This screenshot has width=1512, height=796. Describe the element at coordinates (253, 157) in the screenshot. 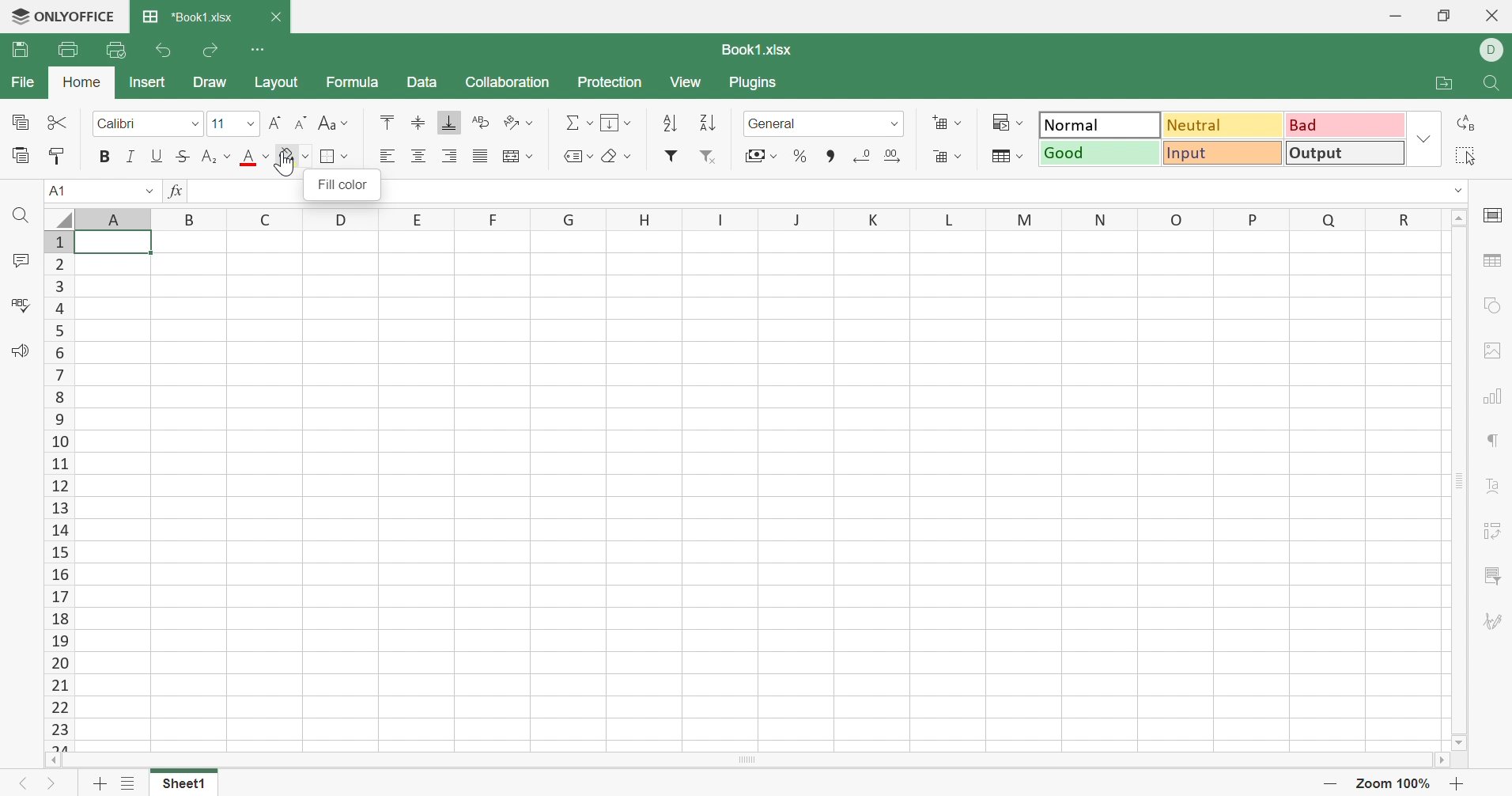

I see `Font color` at that location.